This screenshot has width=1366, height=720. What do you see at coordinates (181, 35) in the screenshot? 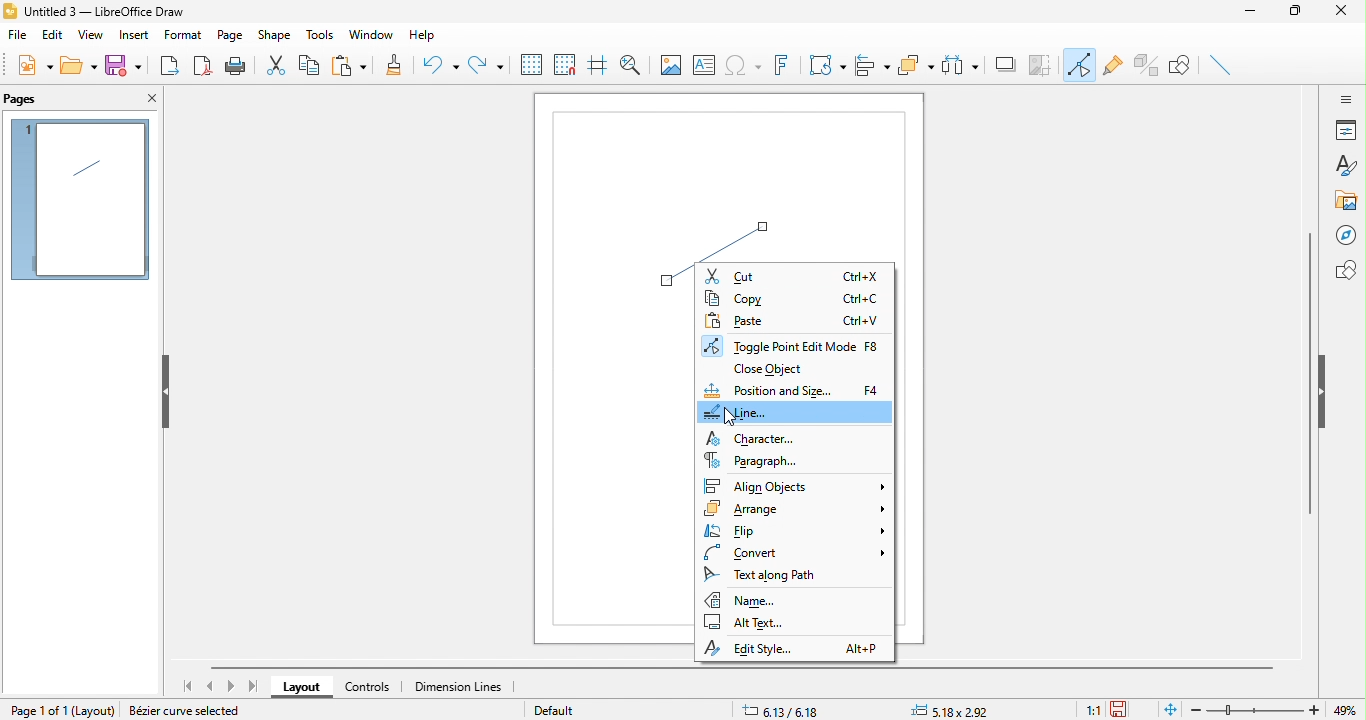
I see `format` at bounding box center [181, 35].